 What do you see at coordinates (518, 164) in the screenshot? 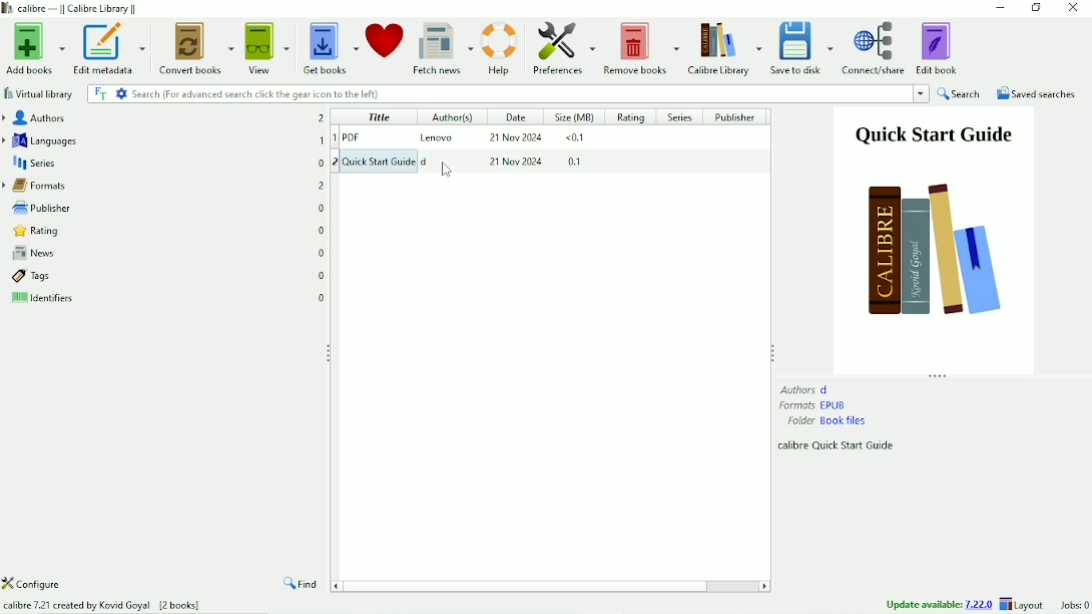
I see `21 Nov 2024` at bounding box center [518, 164].